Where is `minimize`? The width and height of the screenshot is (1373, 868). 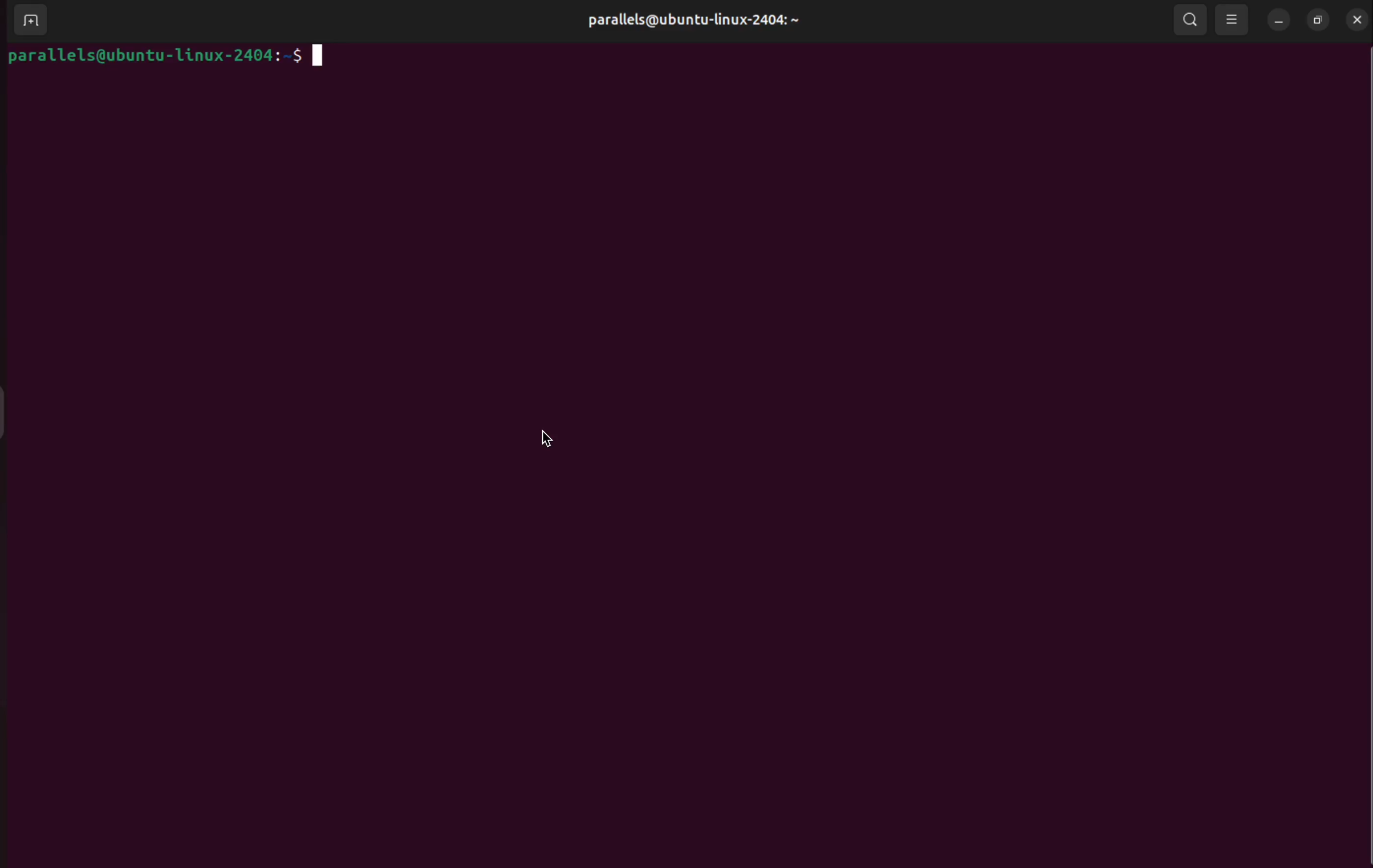 minimize is located at coordinates (1278, 22).